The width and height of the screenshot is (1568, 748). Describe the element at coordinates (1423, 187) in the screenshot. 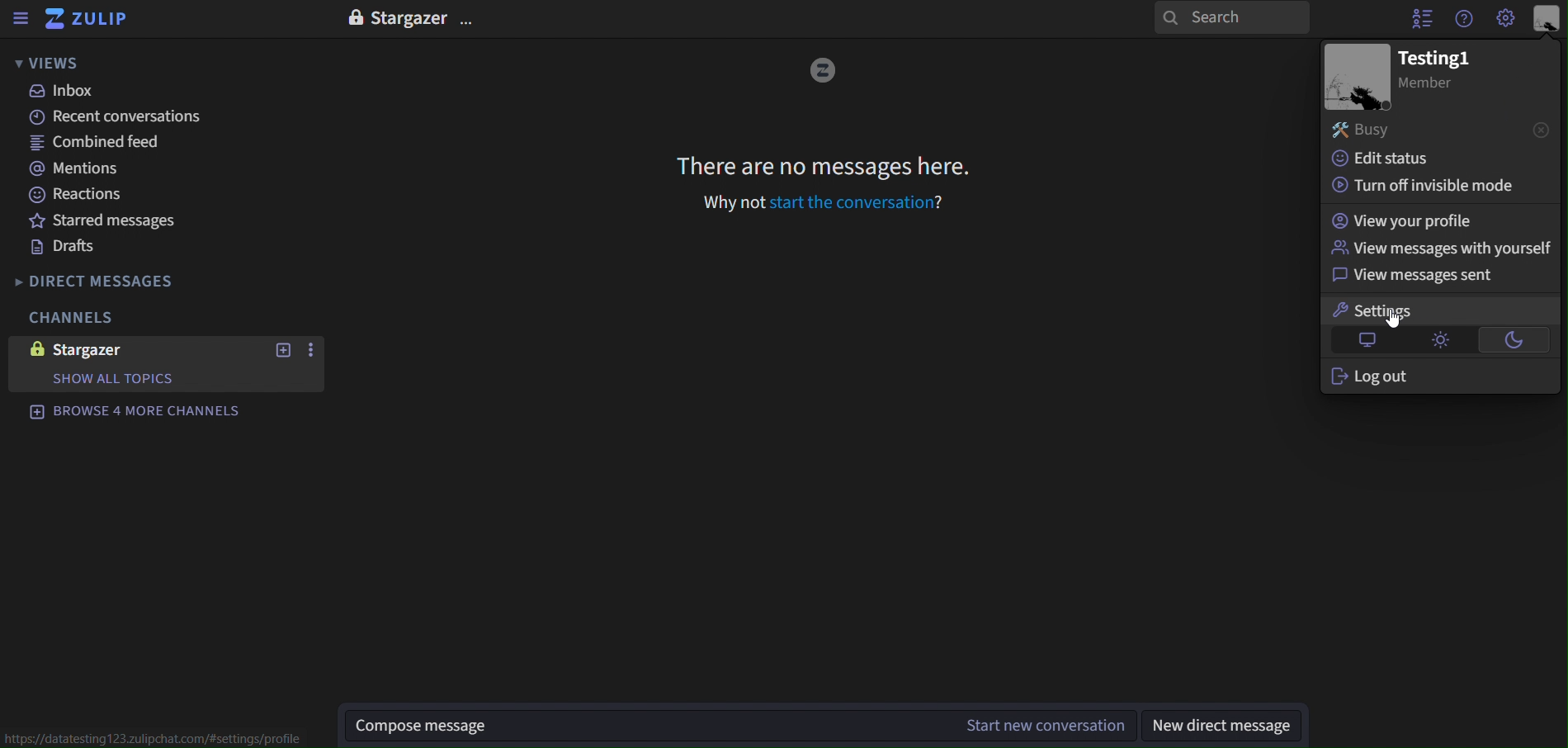

I see `turn off invisible mode` at that location.